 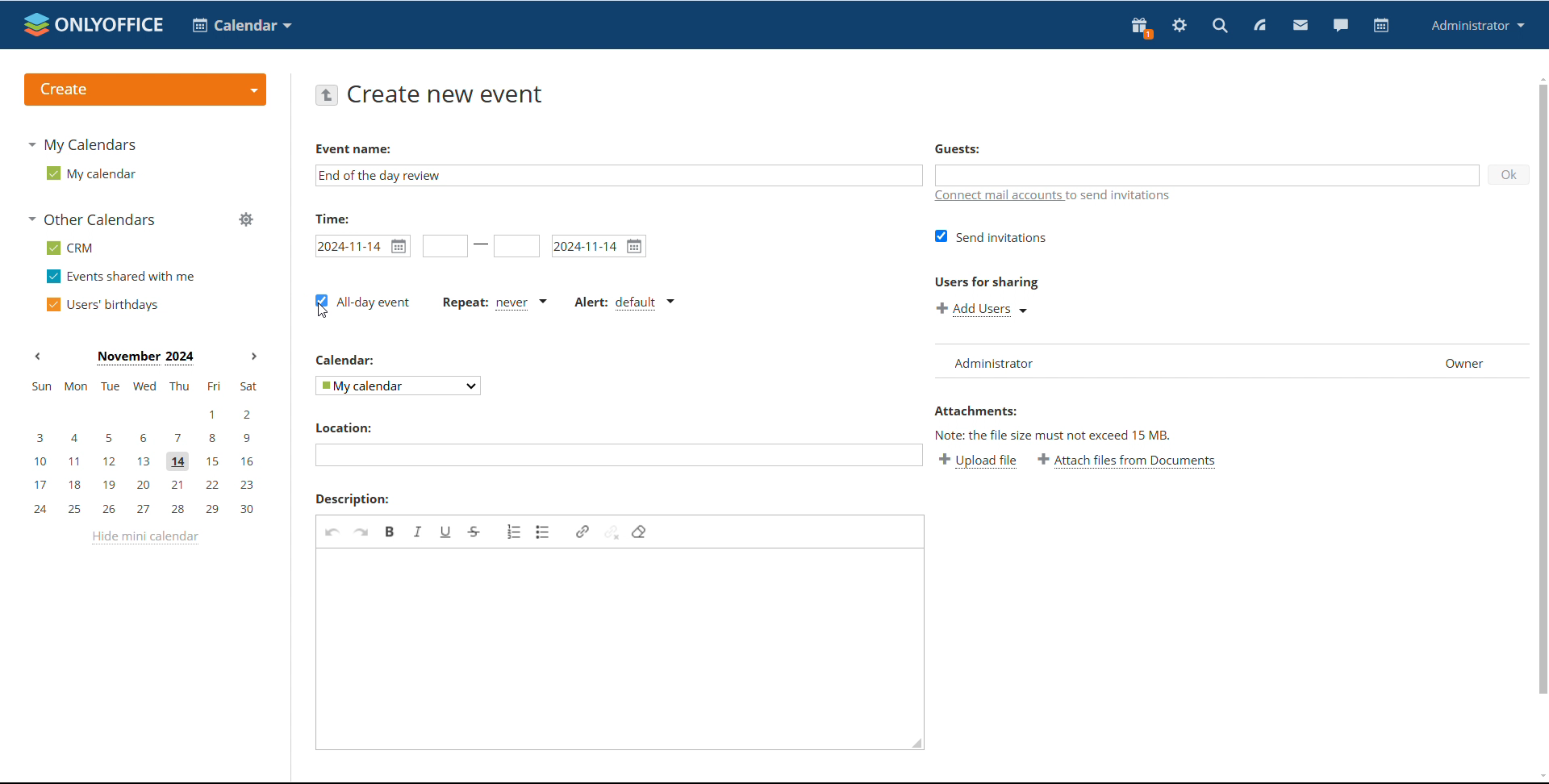 I want to click on users' birthdays, so click(x=101, y=305).